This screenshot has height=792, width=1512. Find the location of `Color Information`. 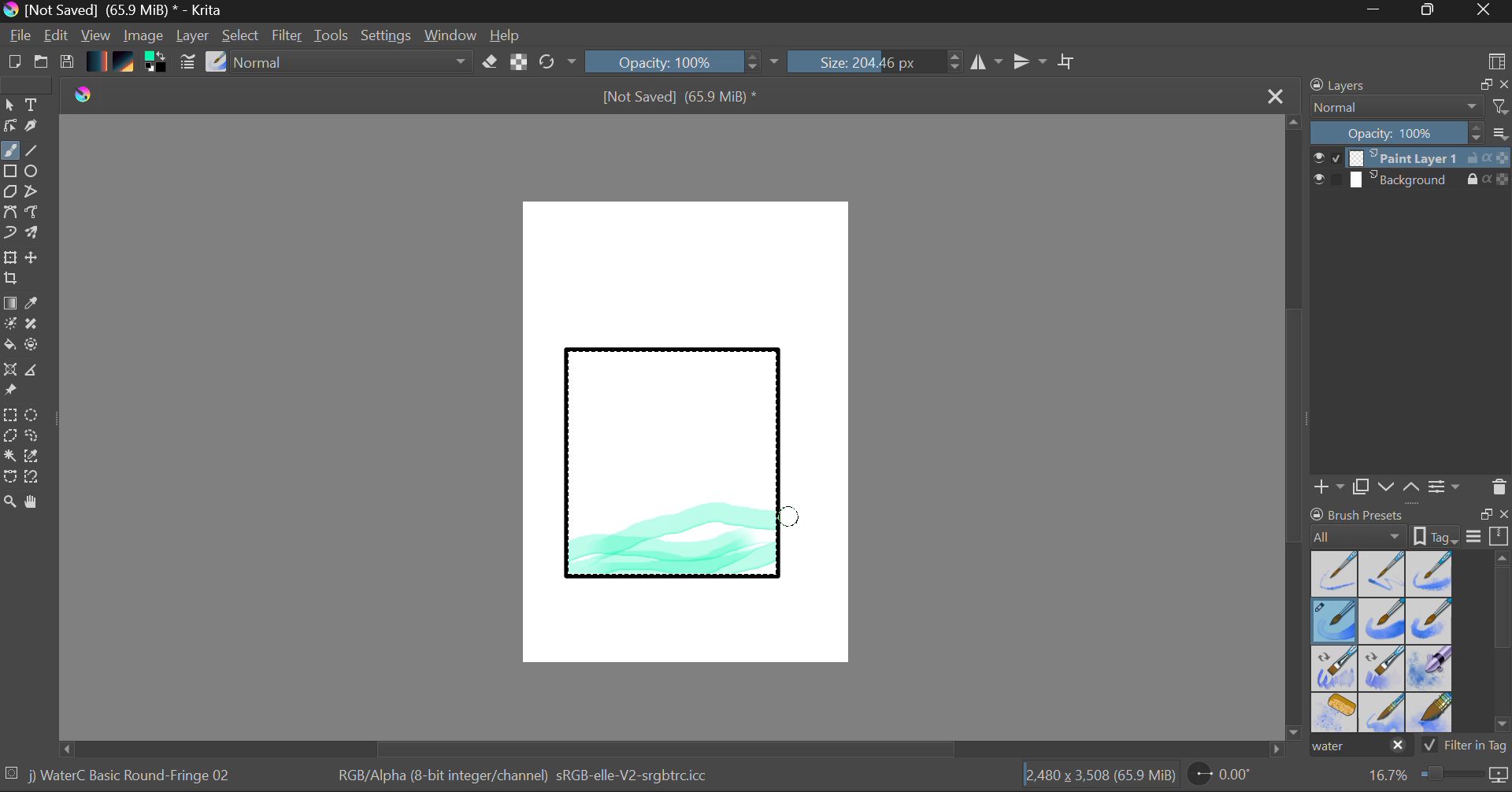

Color Information is located at coordinates (521, 777).